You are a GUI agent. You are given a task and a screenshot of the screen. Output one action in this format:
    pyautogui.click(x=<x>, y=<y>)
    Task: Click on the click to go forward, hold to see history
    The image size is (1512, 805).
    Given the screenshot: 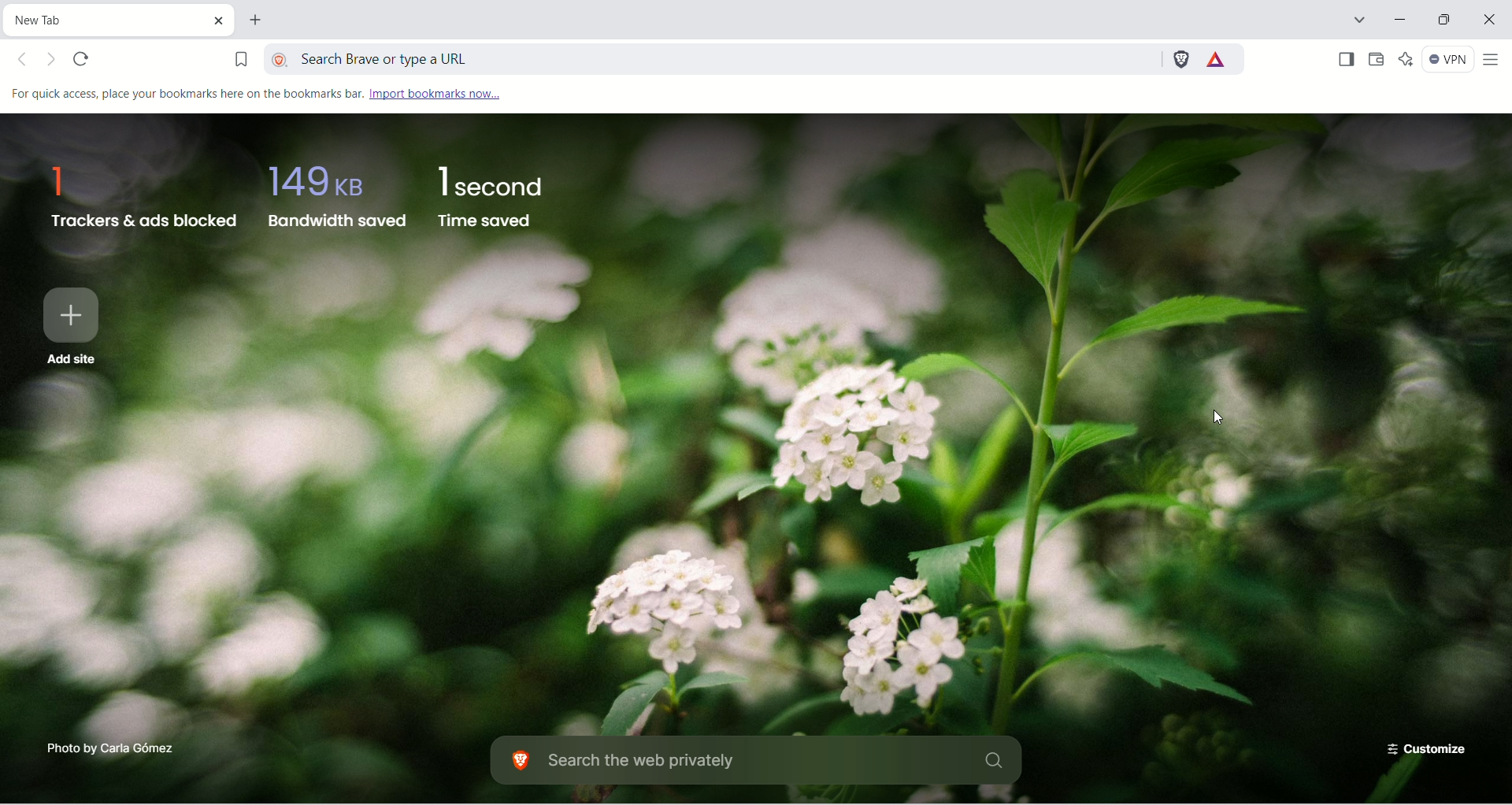 What is the action you would take?
    pyautogui.click(x=49, y=58)
    